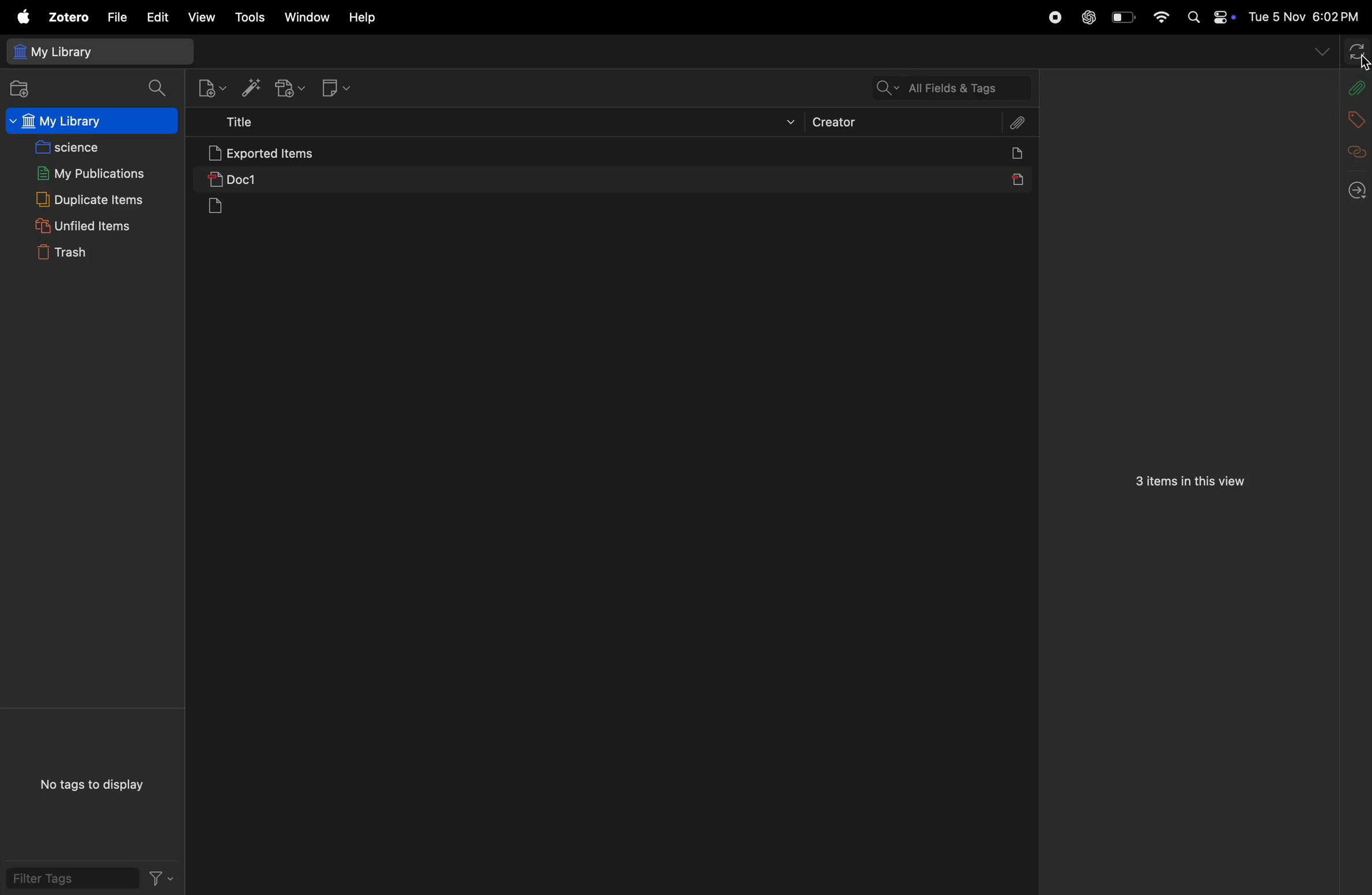 Image resolution: width=1372 pixels, height=895 pixels. What do you see at coordinates (1018, 177) in the screenshot?
I see `pdf` at bounding box center [1018, 177].